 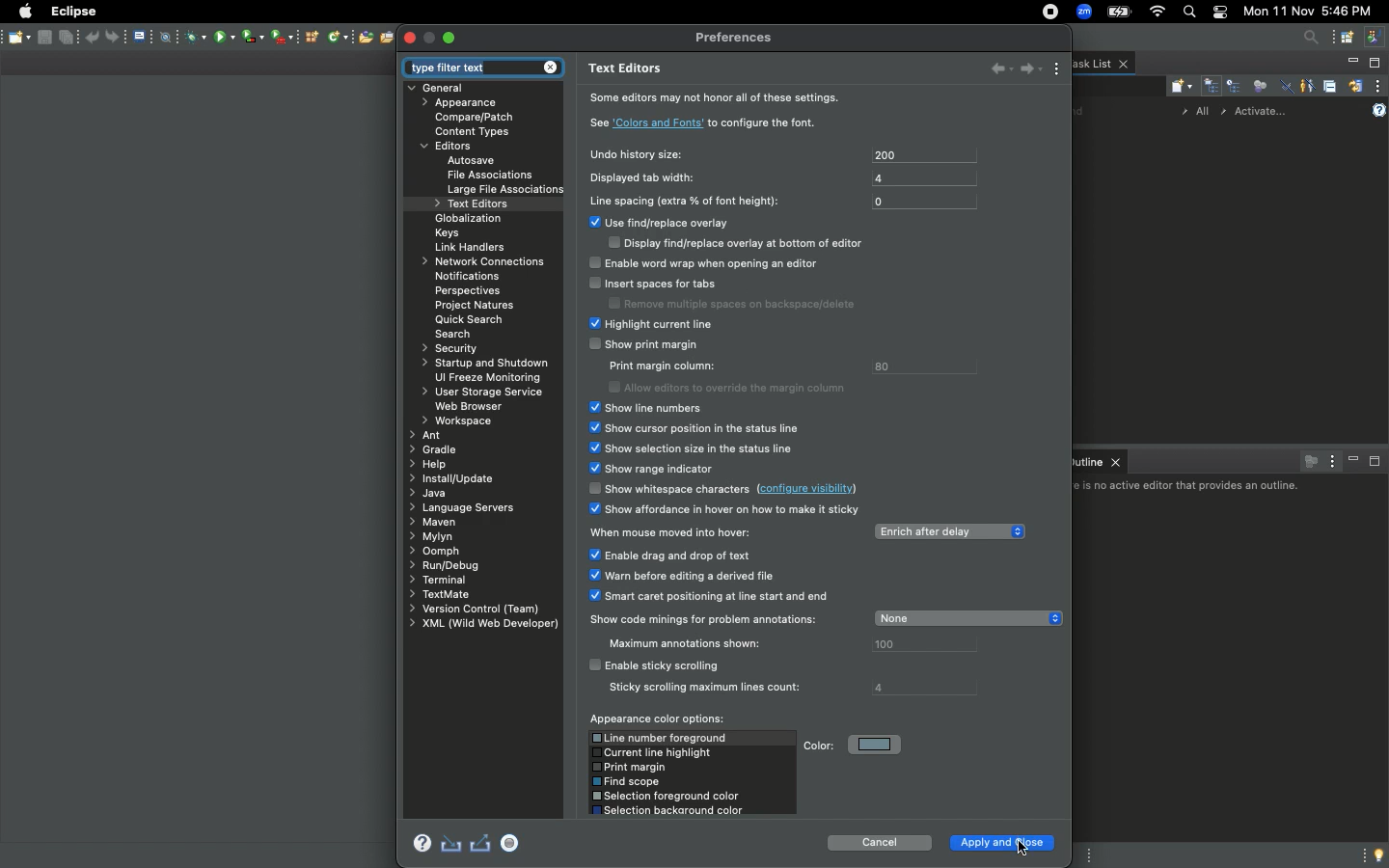 I want to click on Synchronized change, so click(x=1355, y=84).